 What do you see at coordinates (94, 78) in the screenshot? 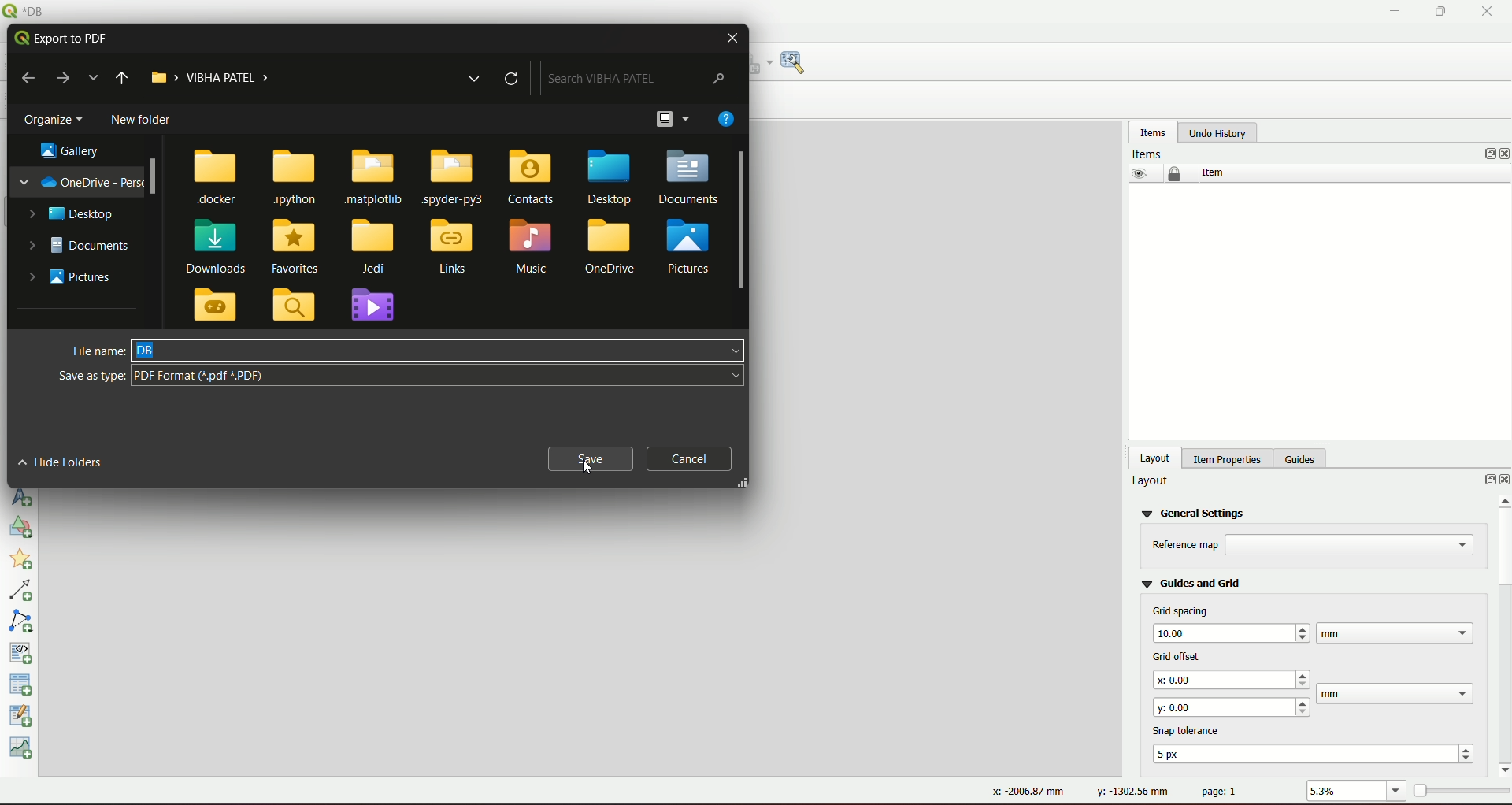
I see `expand` at bounding box center [94, 78].